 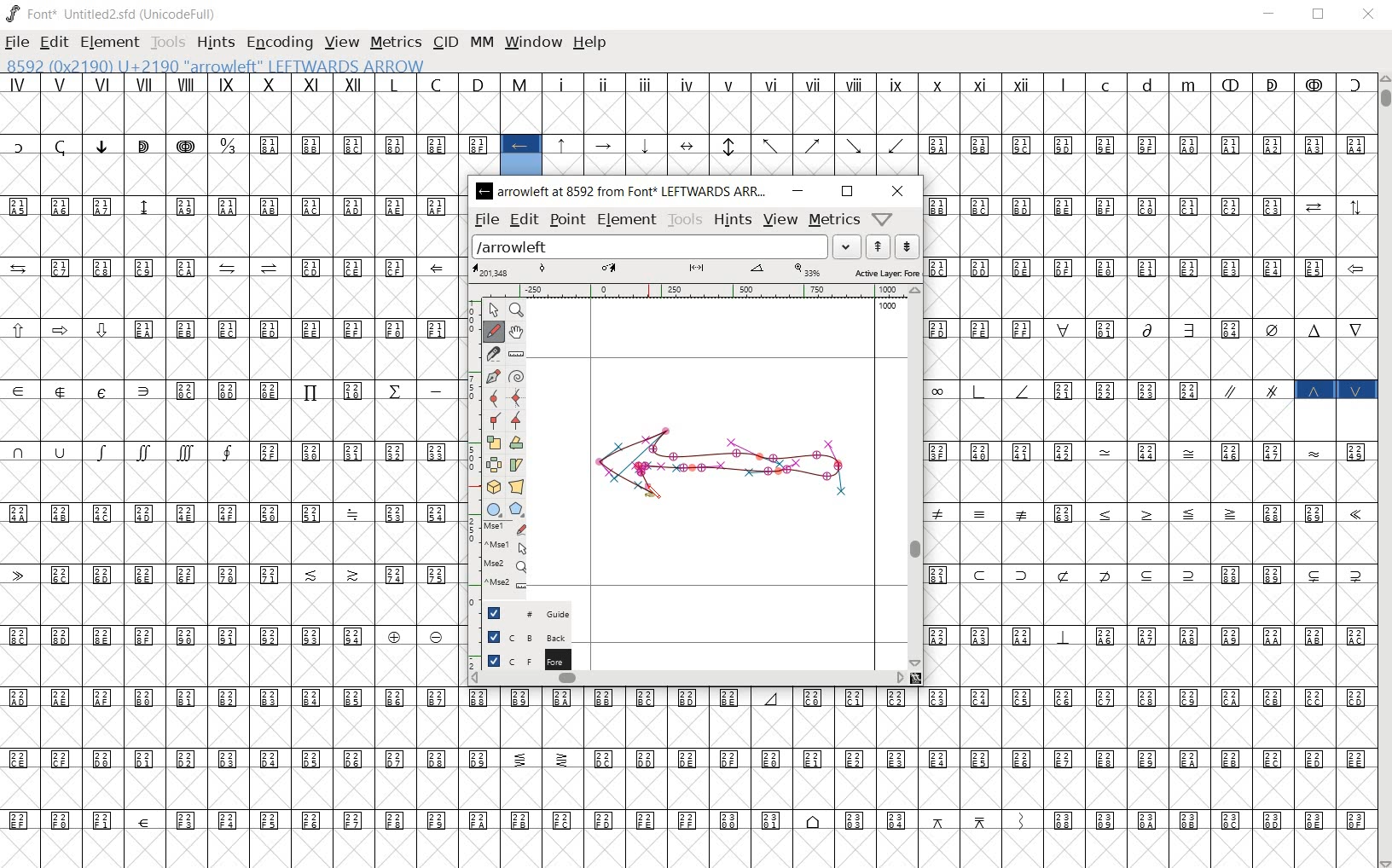 What do you see at coordinates (535, 43) in the screenshot?
I see `window` at bounding box center [535, 43].